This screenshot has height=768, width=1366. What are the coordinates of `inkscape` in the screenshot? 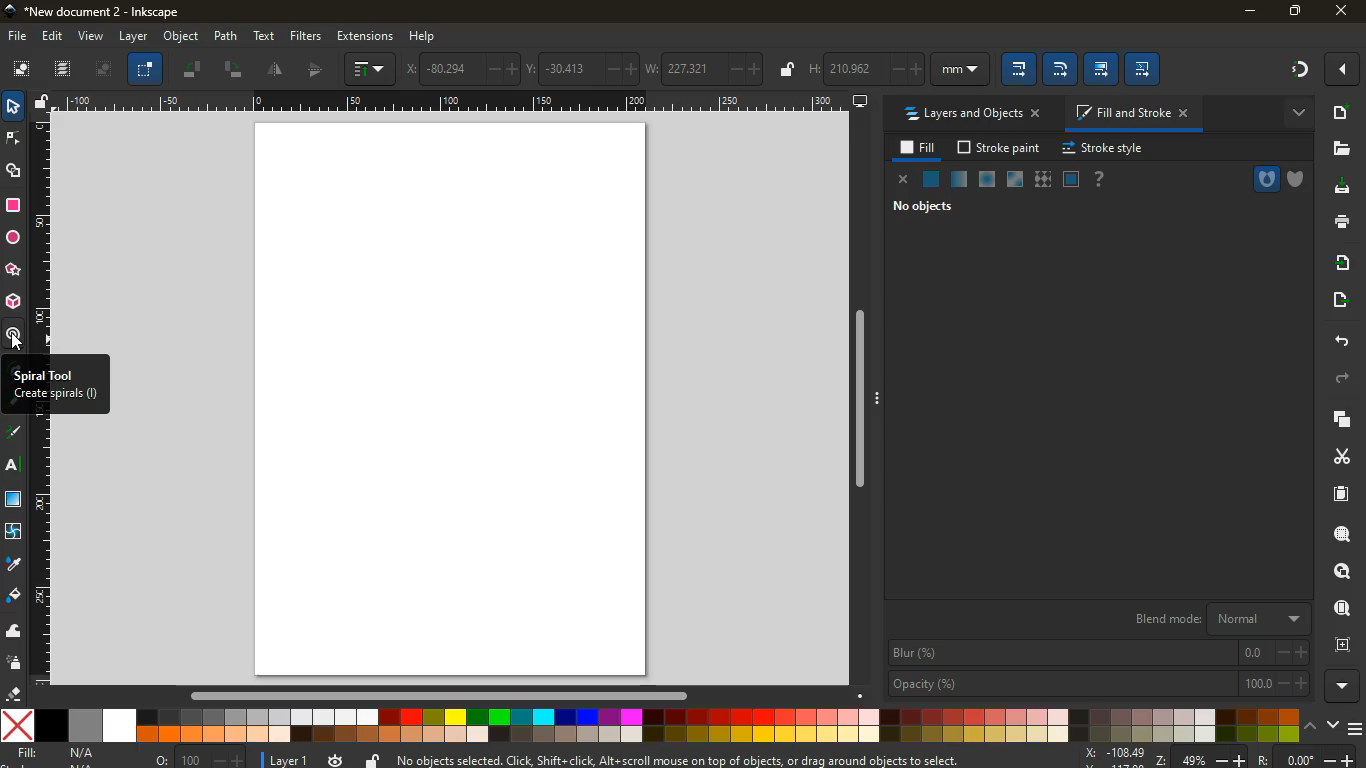 It's located at (109, 12).